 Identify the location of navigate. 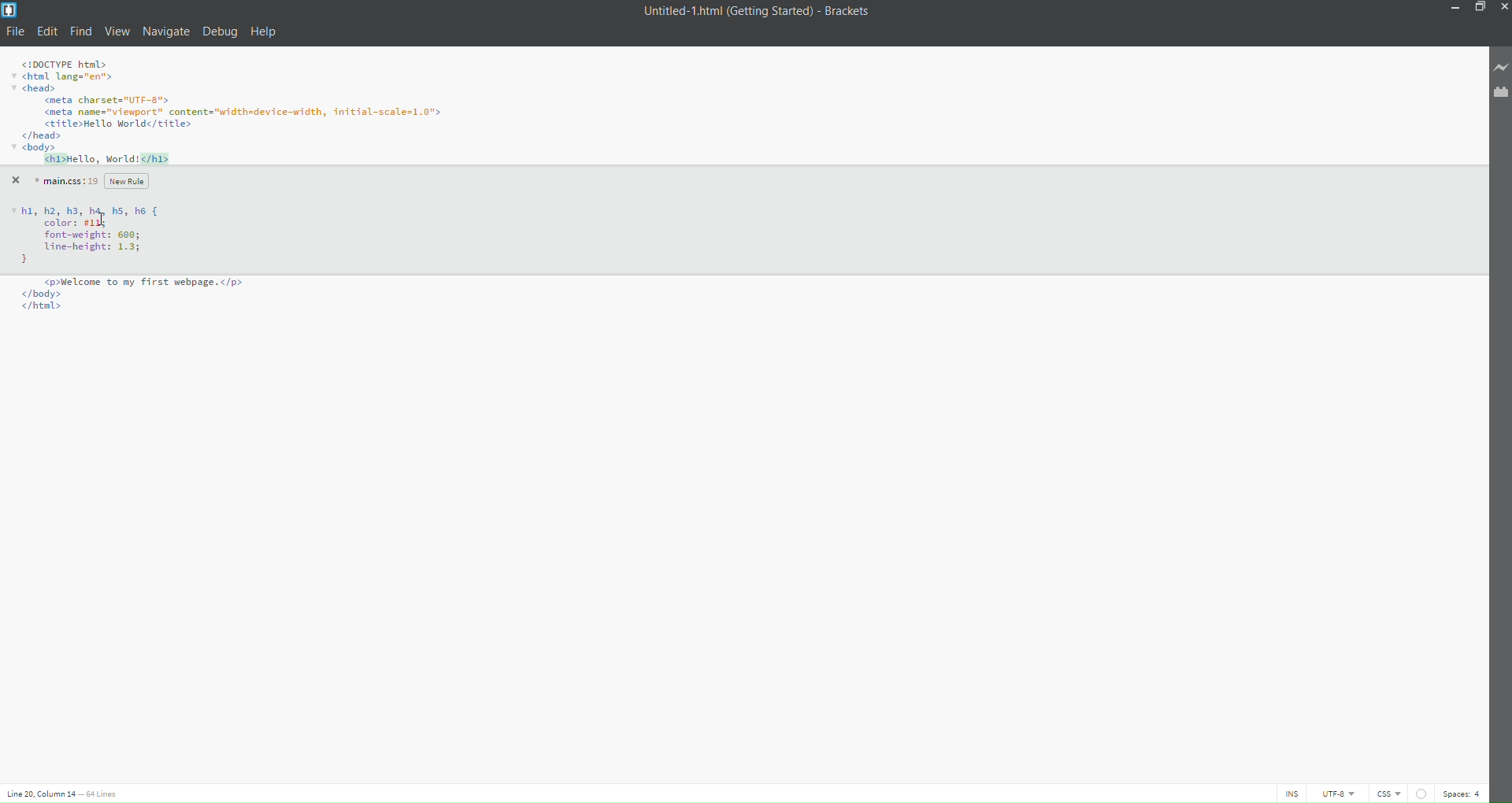
(166, 29).